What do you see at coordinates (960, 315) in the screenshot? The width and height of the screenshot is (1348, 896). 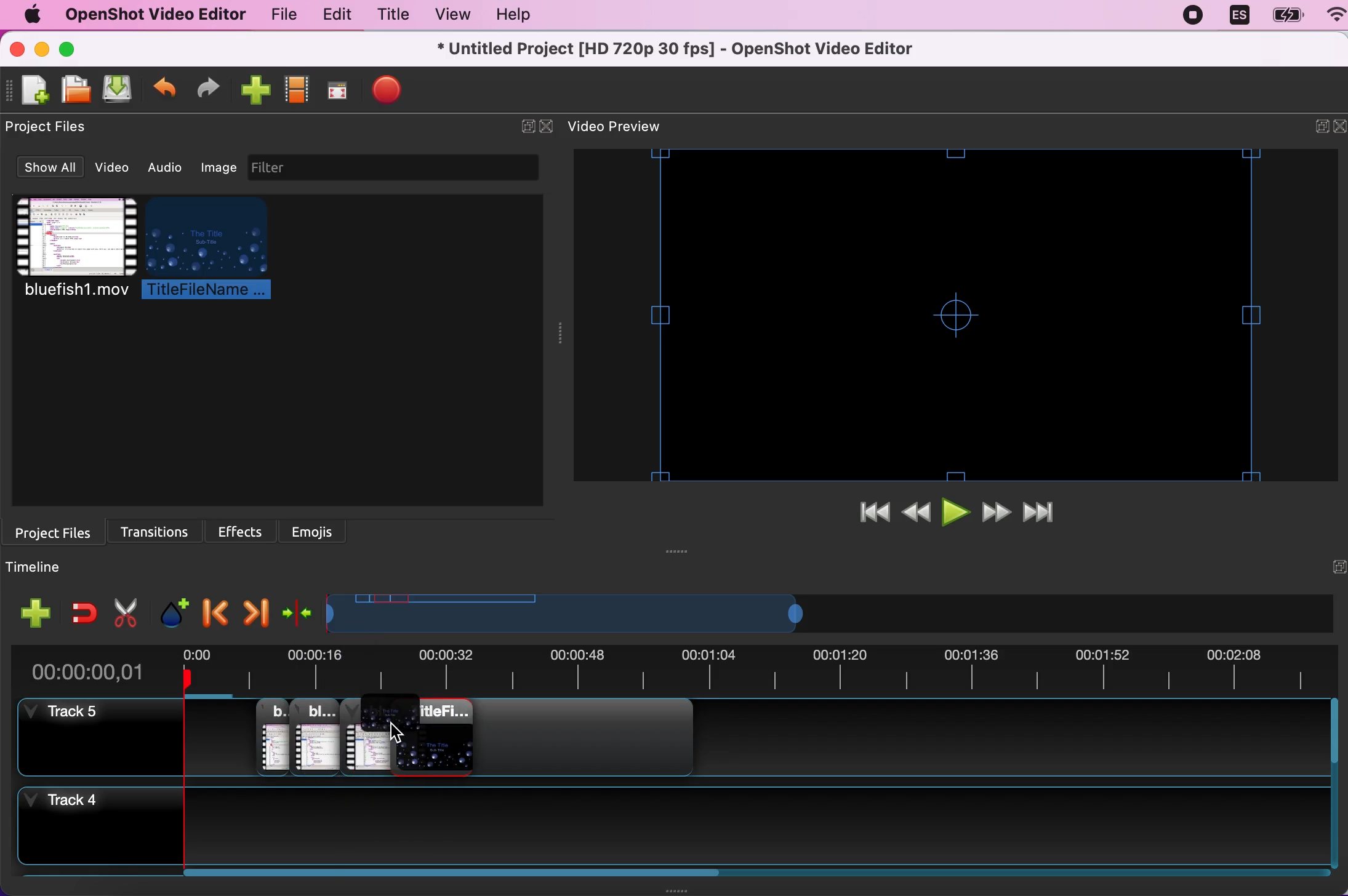 I see `video preview` at bounding box center [960, 315].